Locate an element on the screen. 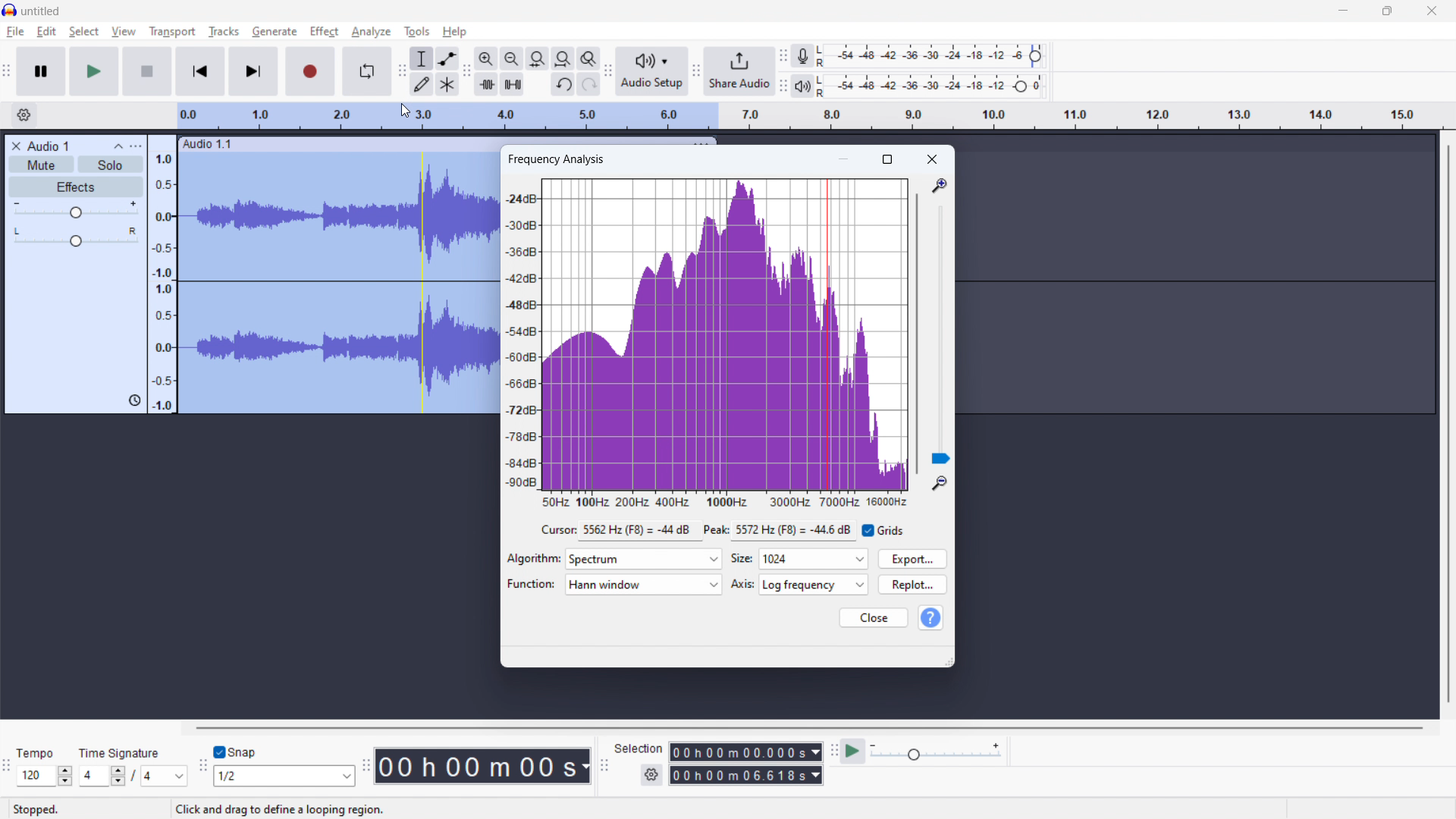  cursor position is located at coordinates (718, 531).